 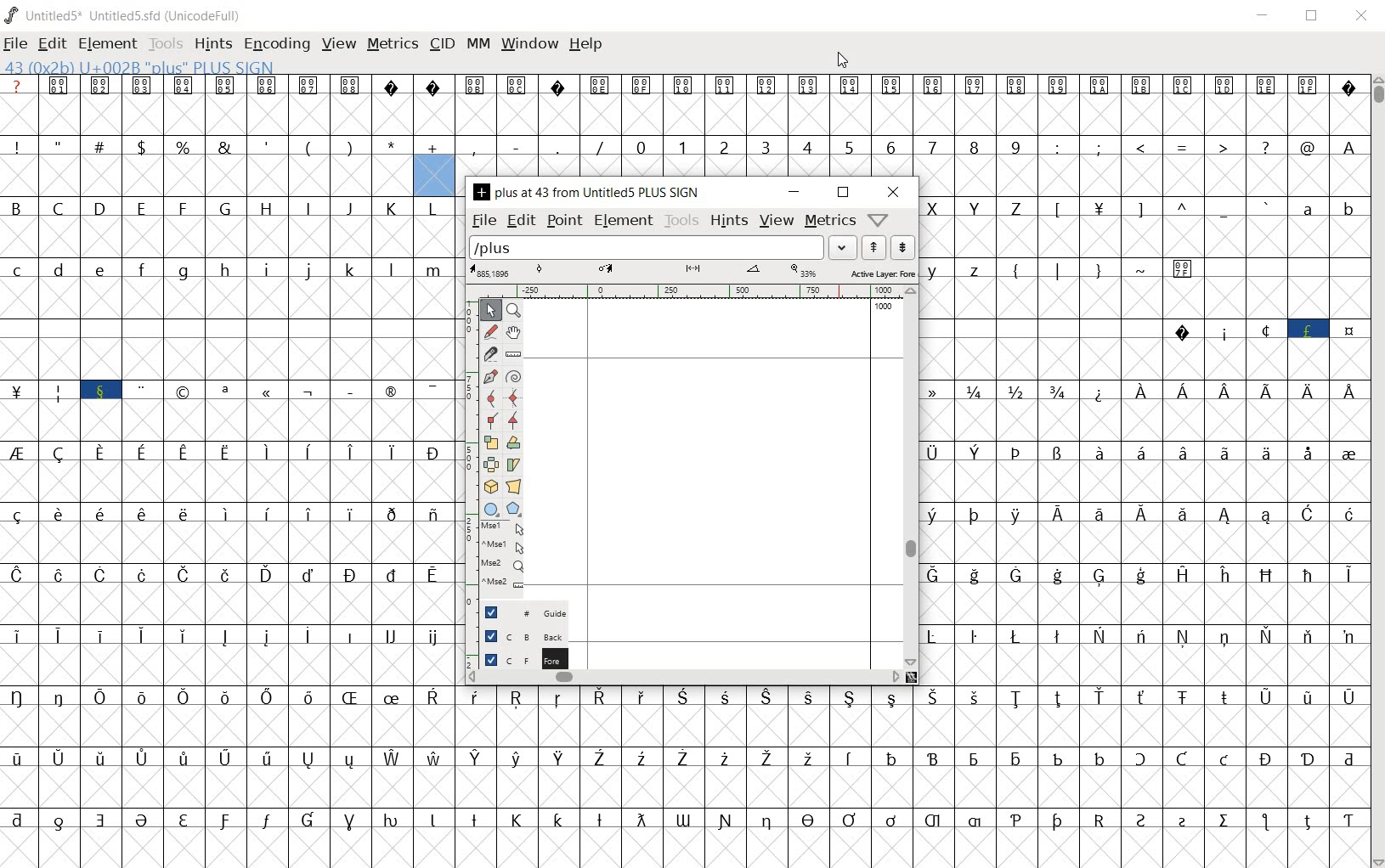 I want to click on Add a corner point, so click(x=491, y=420).